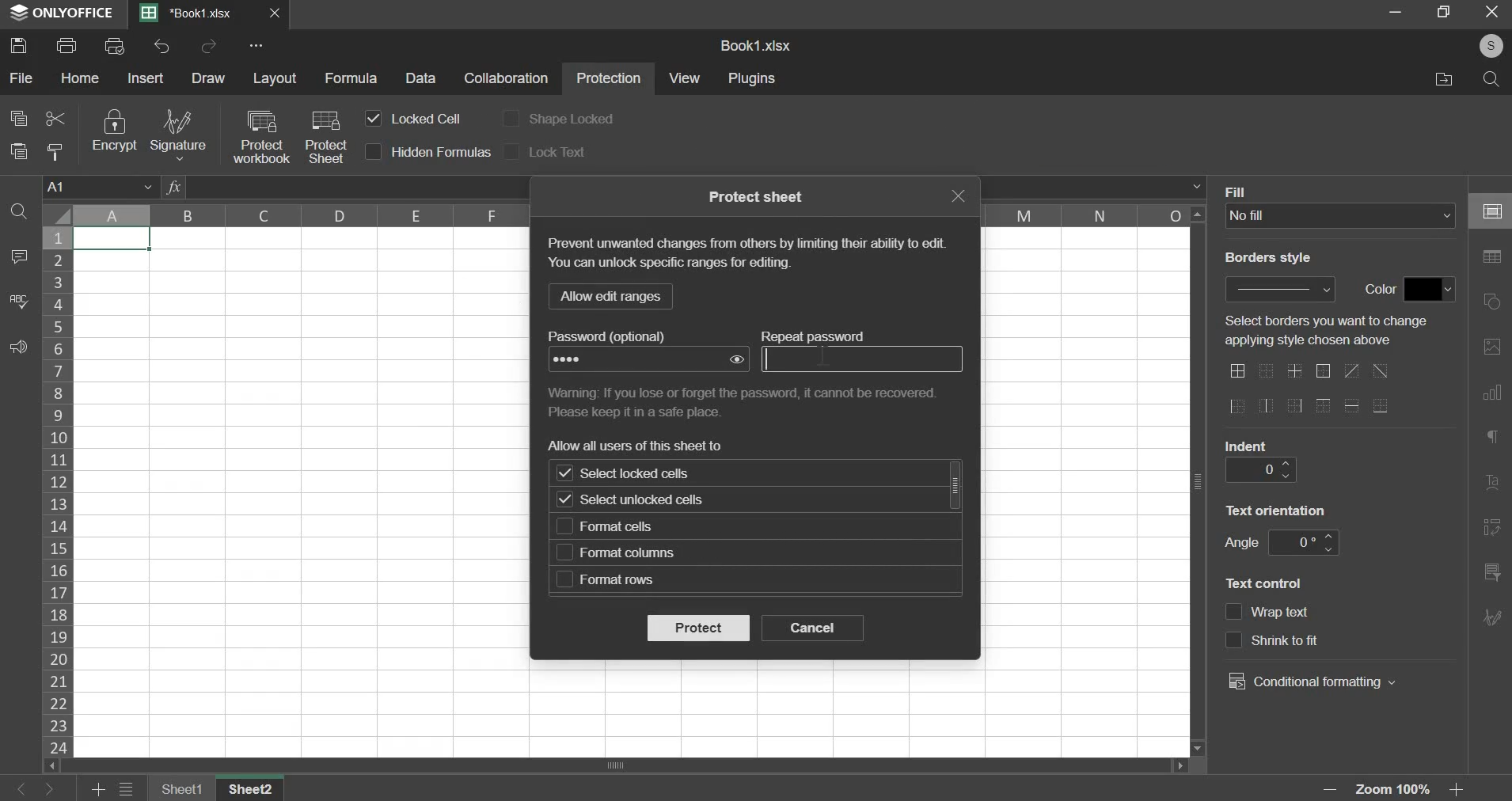 This screenshot has height=801, width=1512. What do you see at coordinates (1492, 346) in the screenshot?
I see `right side bar` at bounding box center [1492, 346].